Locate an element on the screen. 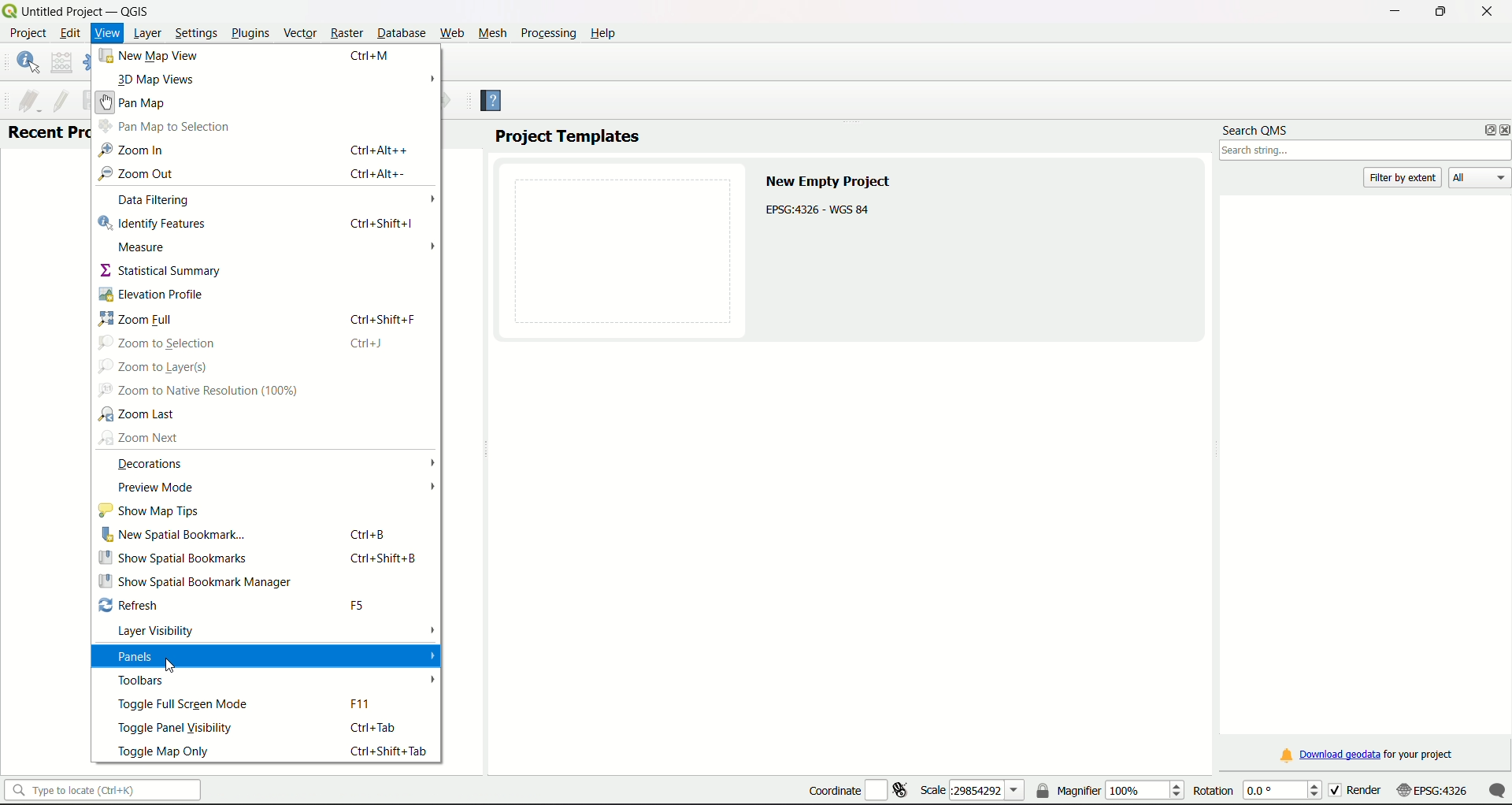  Toolbars is located at coordinates (141, 681).